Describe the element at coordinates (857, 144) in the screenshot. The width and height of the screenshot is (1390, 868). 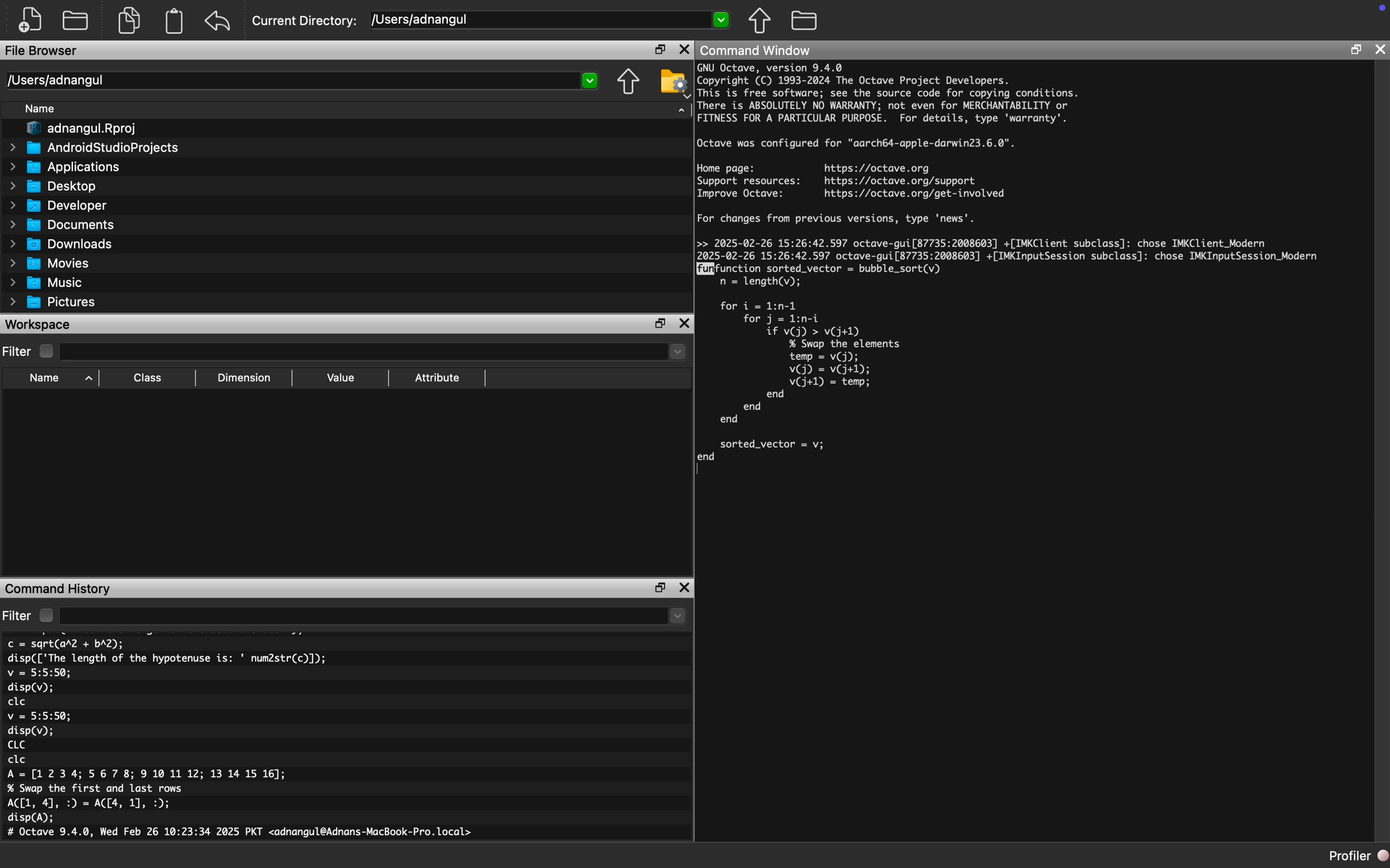
I see `Octave was configured for "aarch64-apple-darwin23.6.0".` at that location.